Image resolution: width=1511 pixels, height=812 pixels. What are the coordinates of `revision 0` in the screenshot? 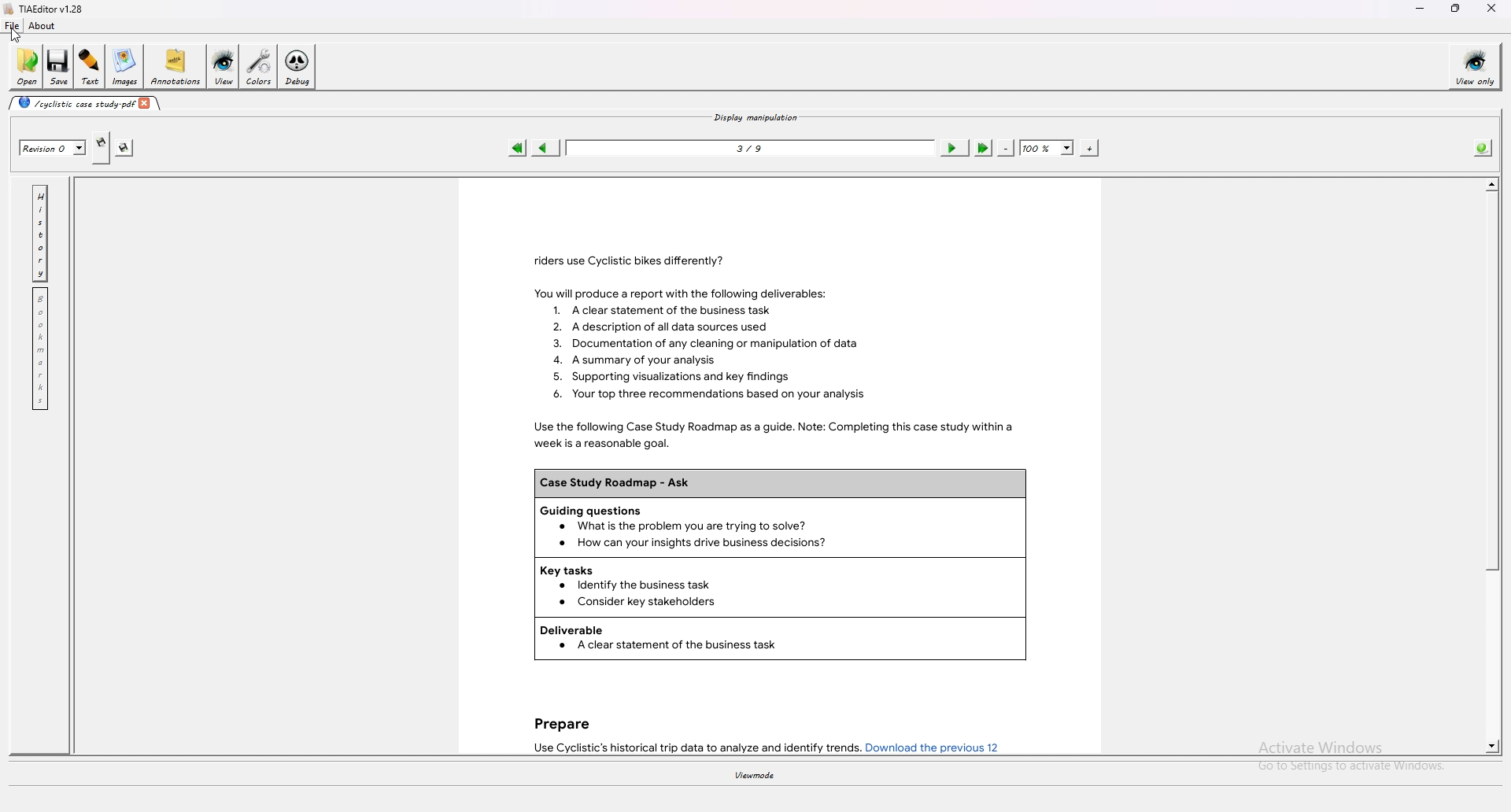 It's located at (52, 148).